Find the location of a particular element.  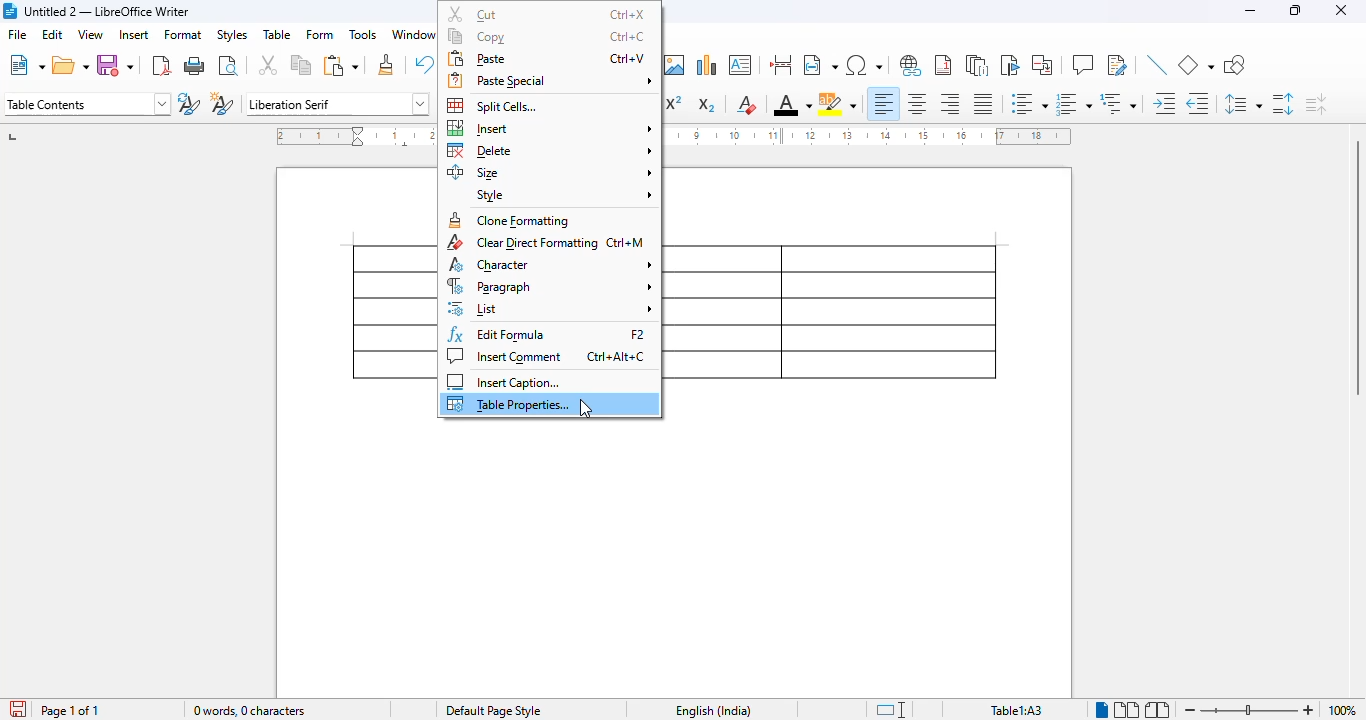

basic shapes is located at coordinates (1196, 65).